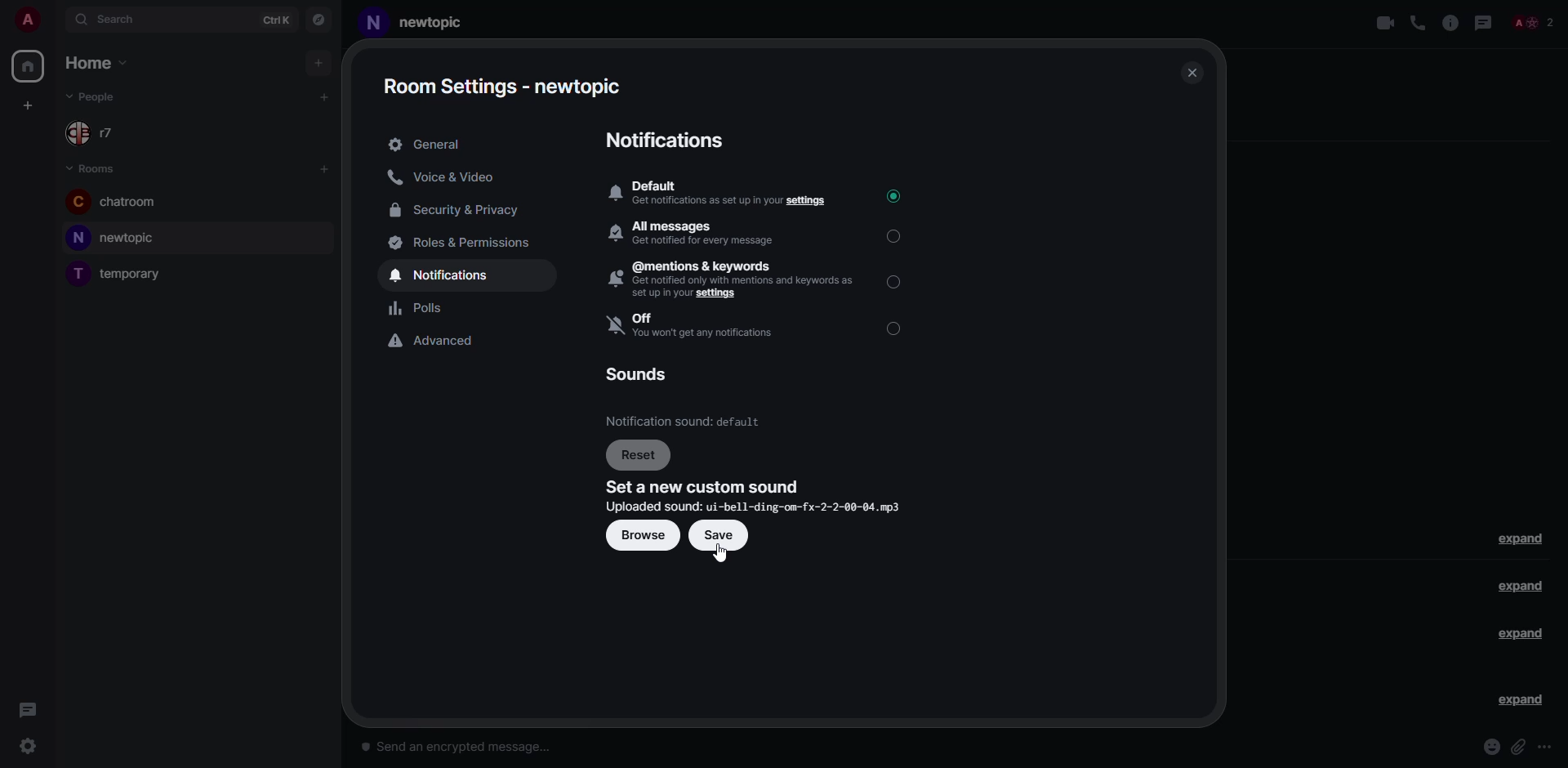  Describe the element at coordinates (318, 20) in the screenshot. I see `navigator` at that location.